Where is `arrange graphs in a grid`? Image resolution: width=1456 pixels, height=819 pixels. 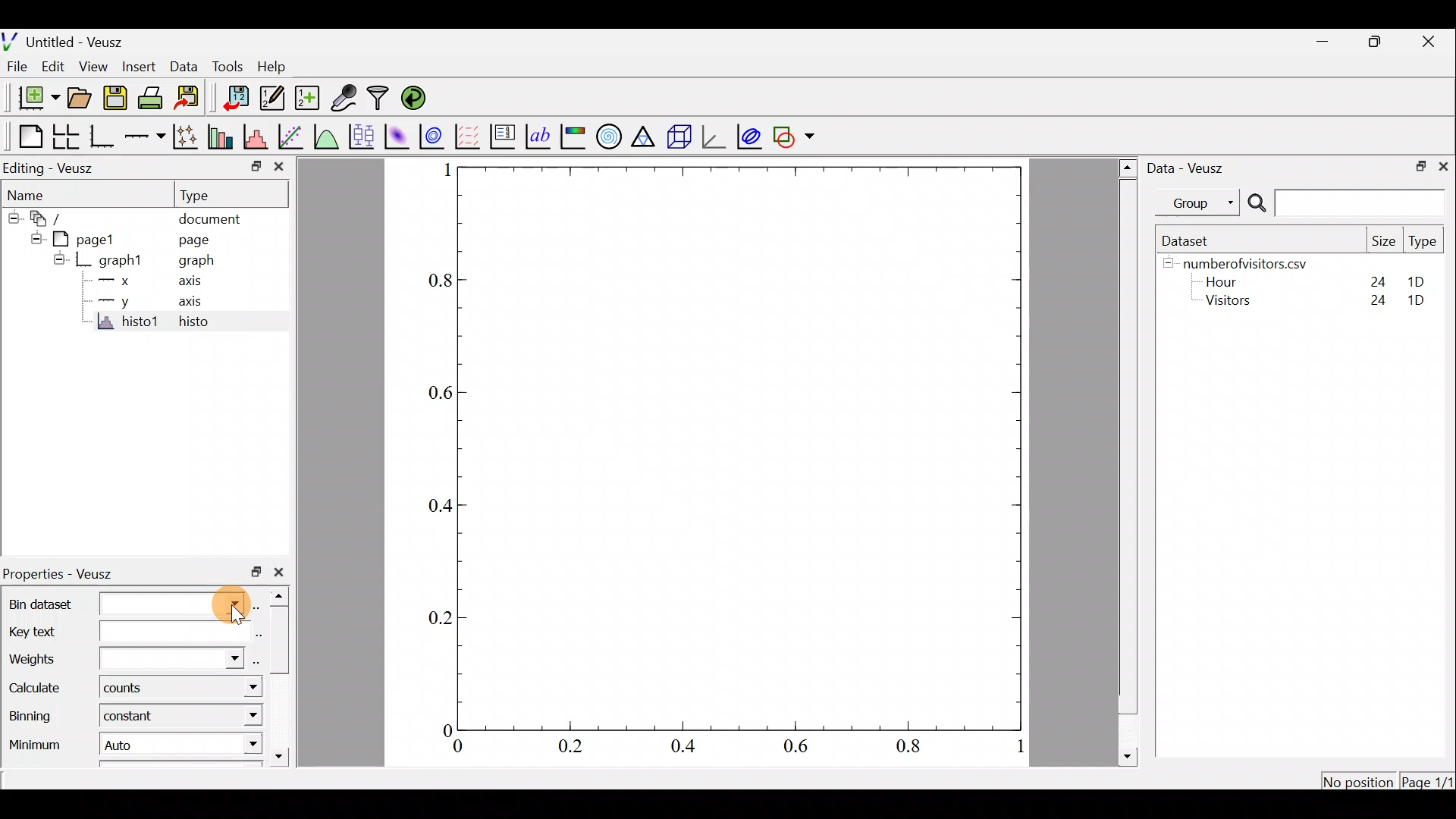
arrange graphs in a grid is located at coordinates (65, 136).